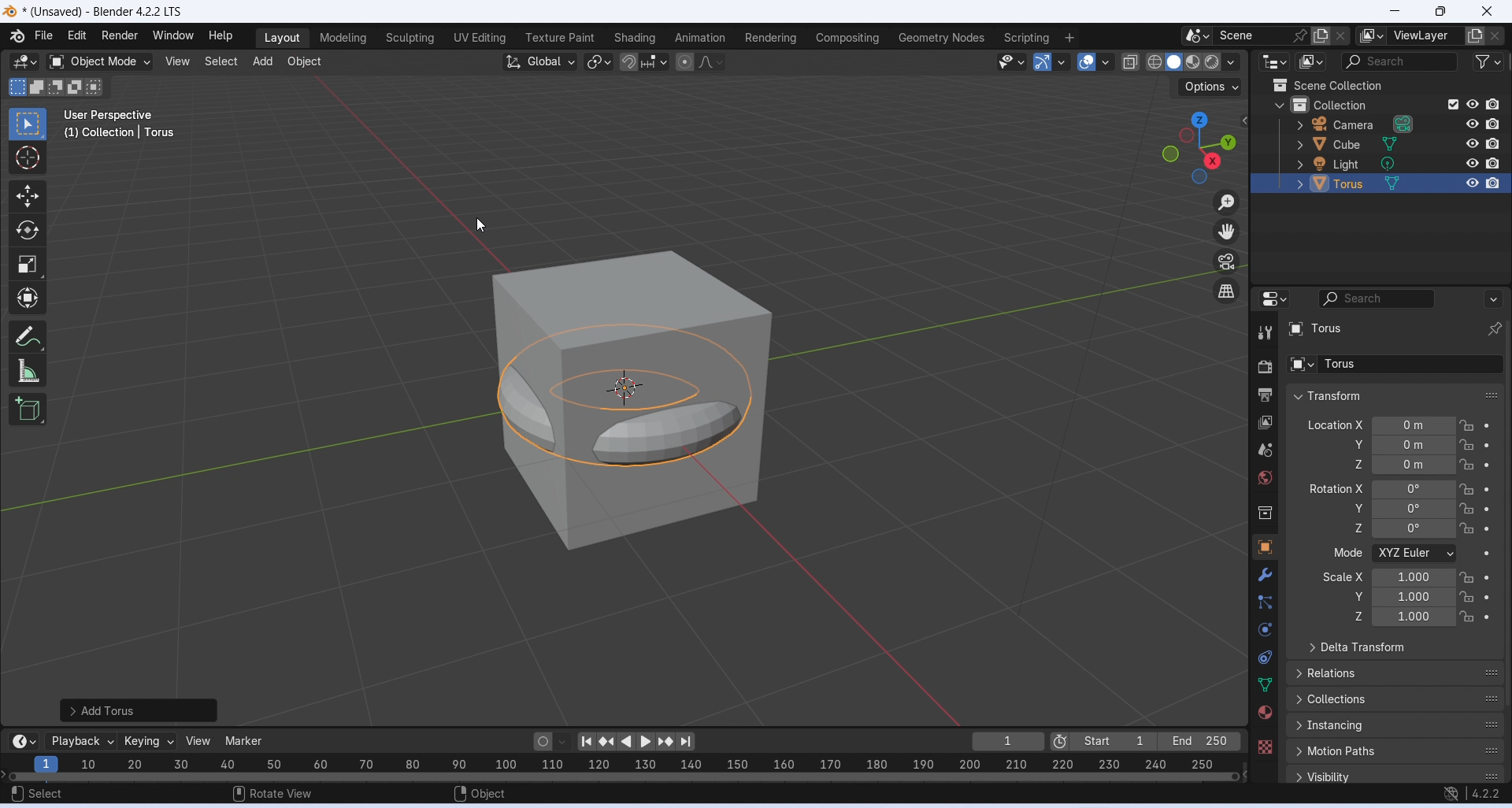 Image resolution: width=1512 pixels, height=808 pixels. What do you see at coordinates (1273, 298) in the screenshot?
I see `Editor type` at bounding box center [1273, 298].